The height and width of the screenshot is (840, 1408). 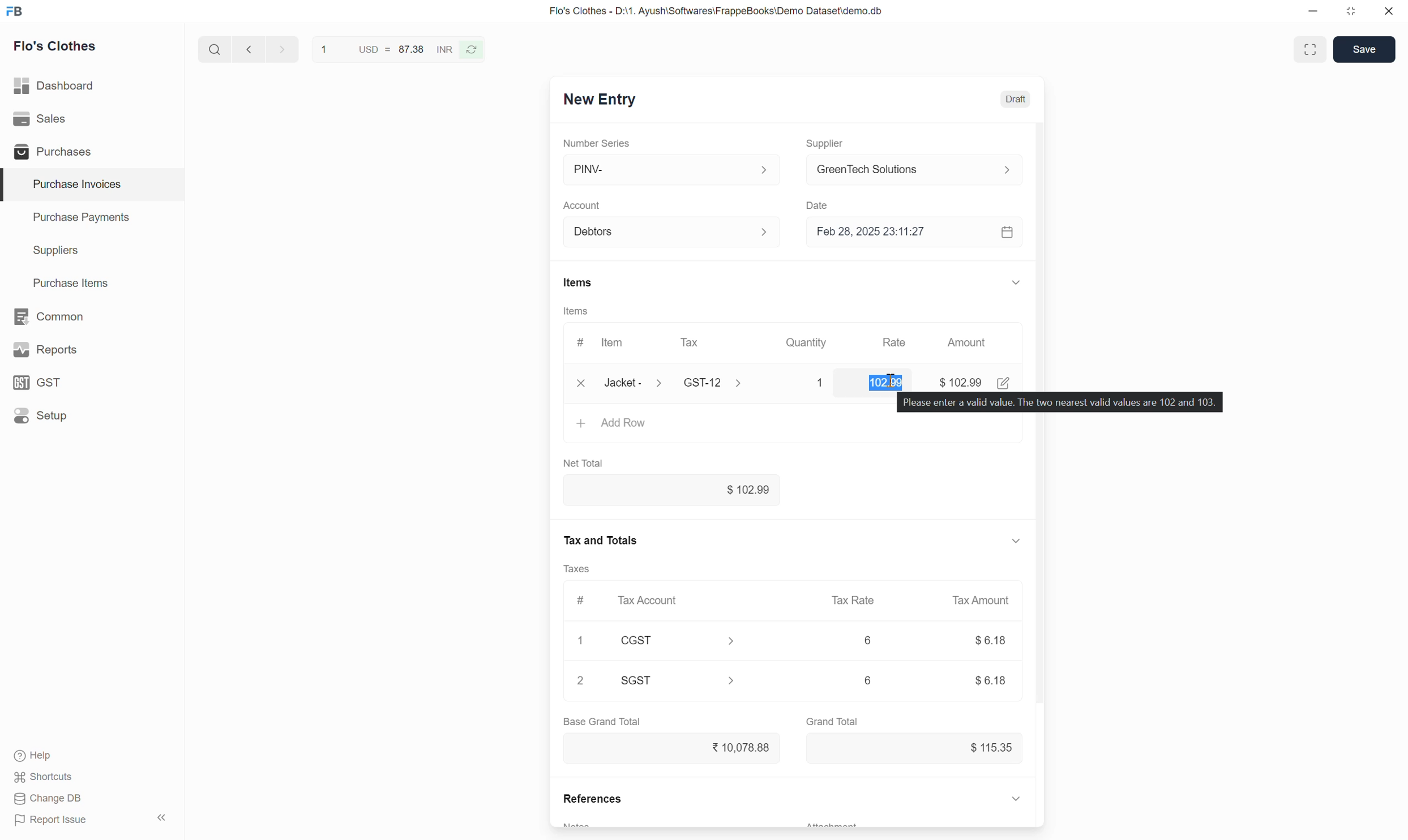 I want to click on Reverse, so click(x=470, y=50).